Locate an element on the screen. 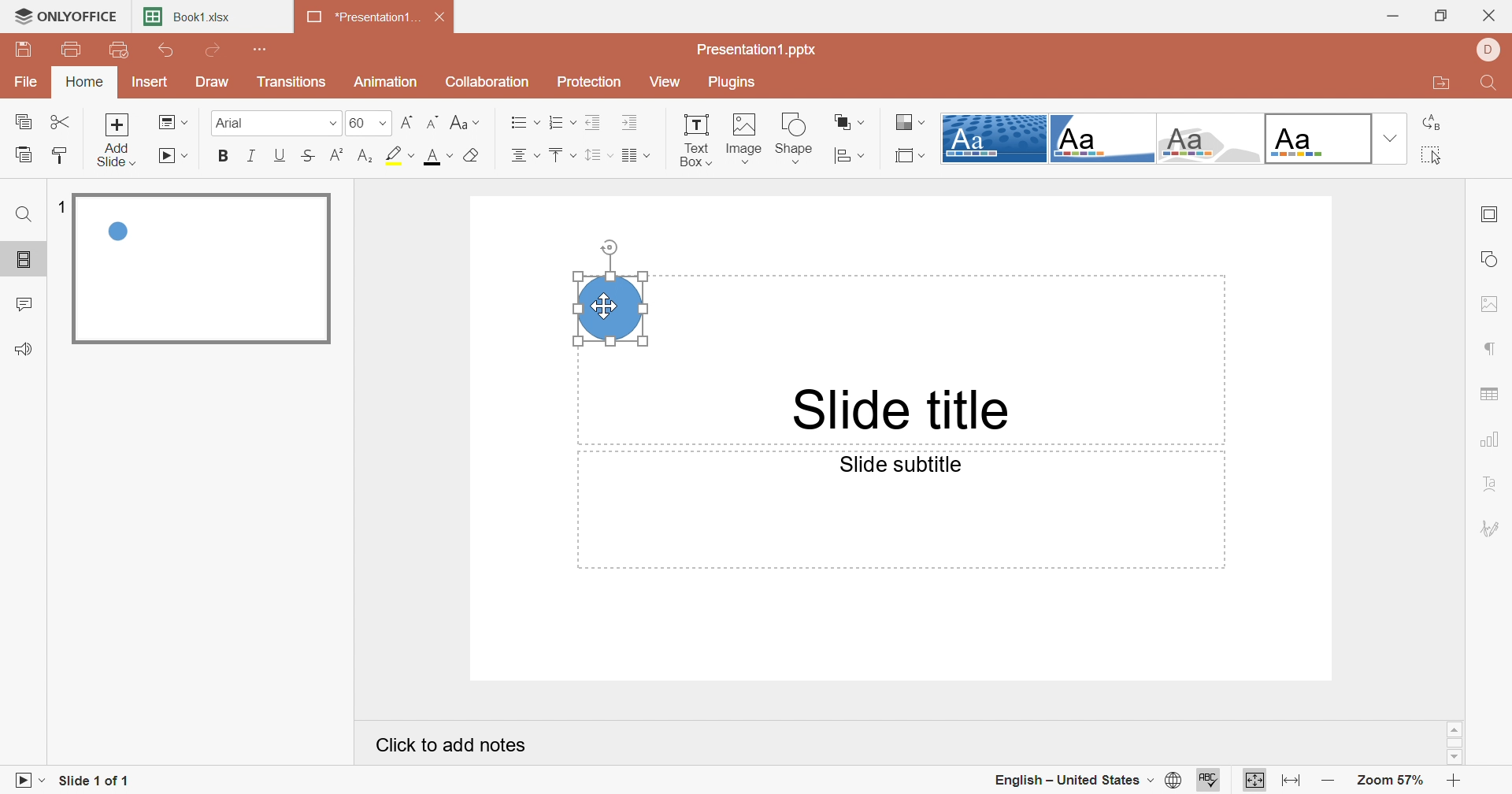  Copy is located at coordinates (23, 122).